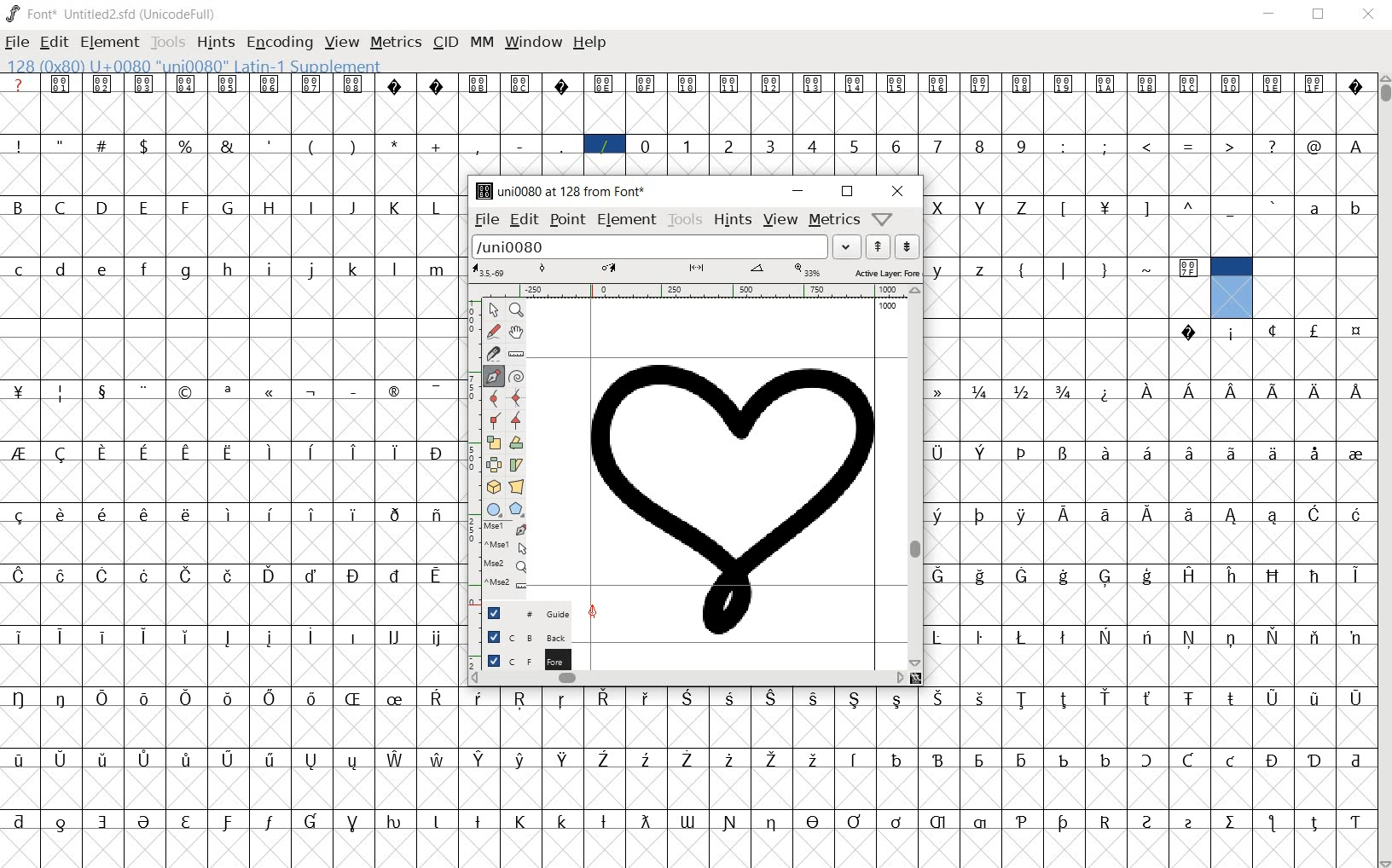  What do you see at coordinates (102, 576) in the screenshot?
I see `glyph` at bounding box center [102, 576].